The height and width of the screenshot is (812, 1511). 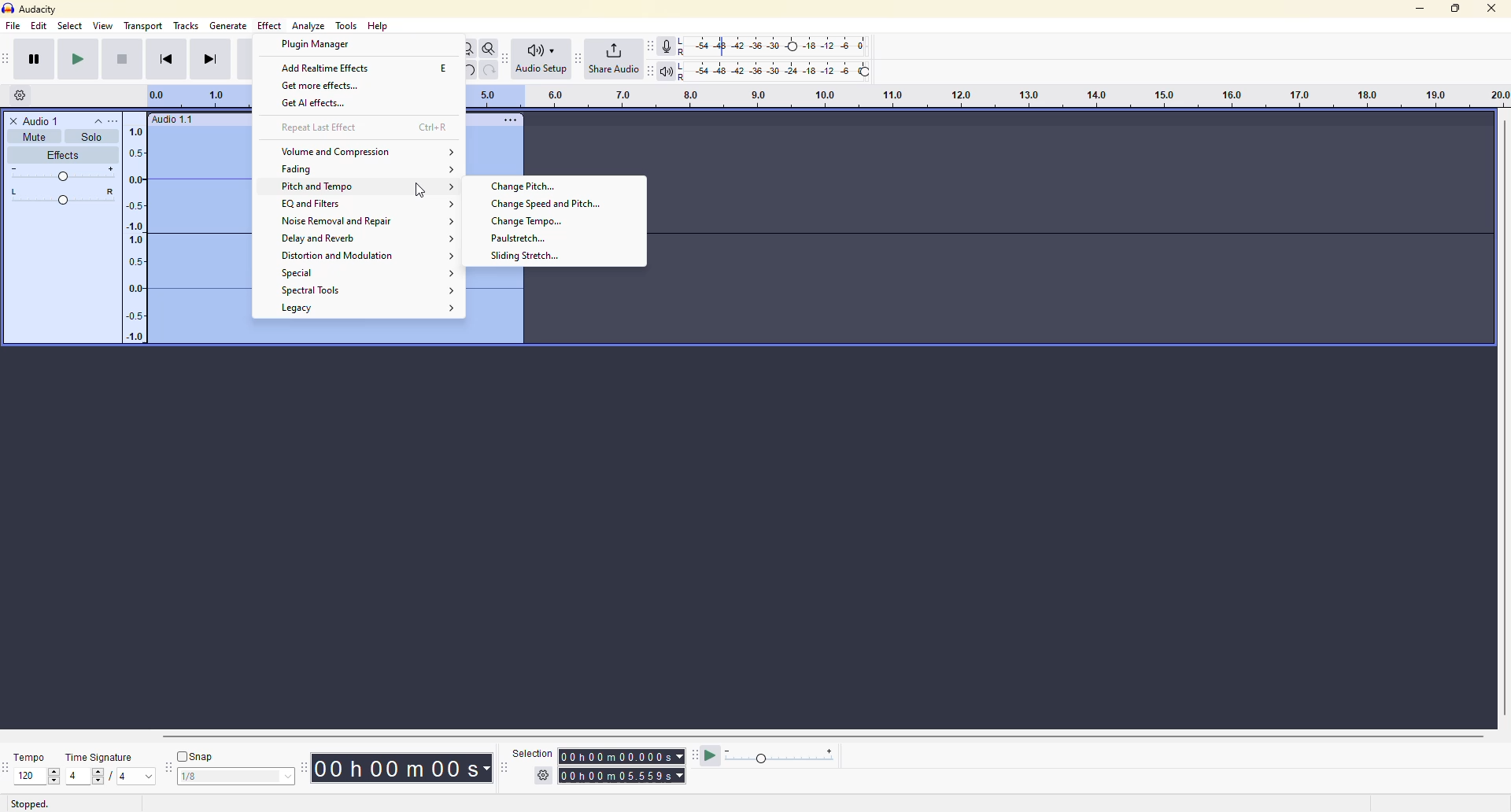 What do you see at coordinates (173, 120) in the screenshot?
I see `audio` at bounding box center [173, 120].